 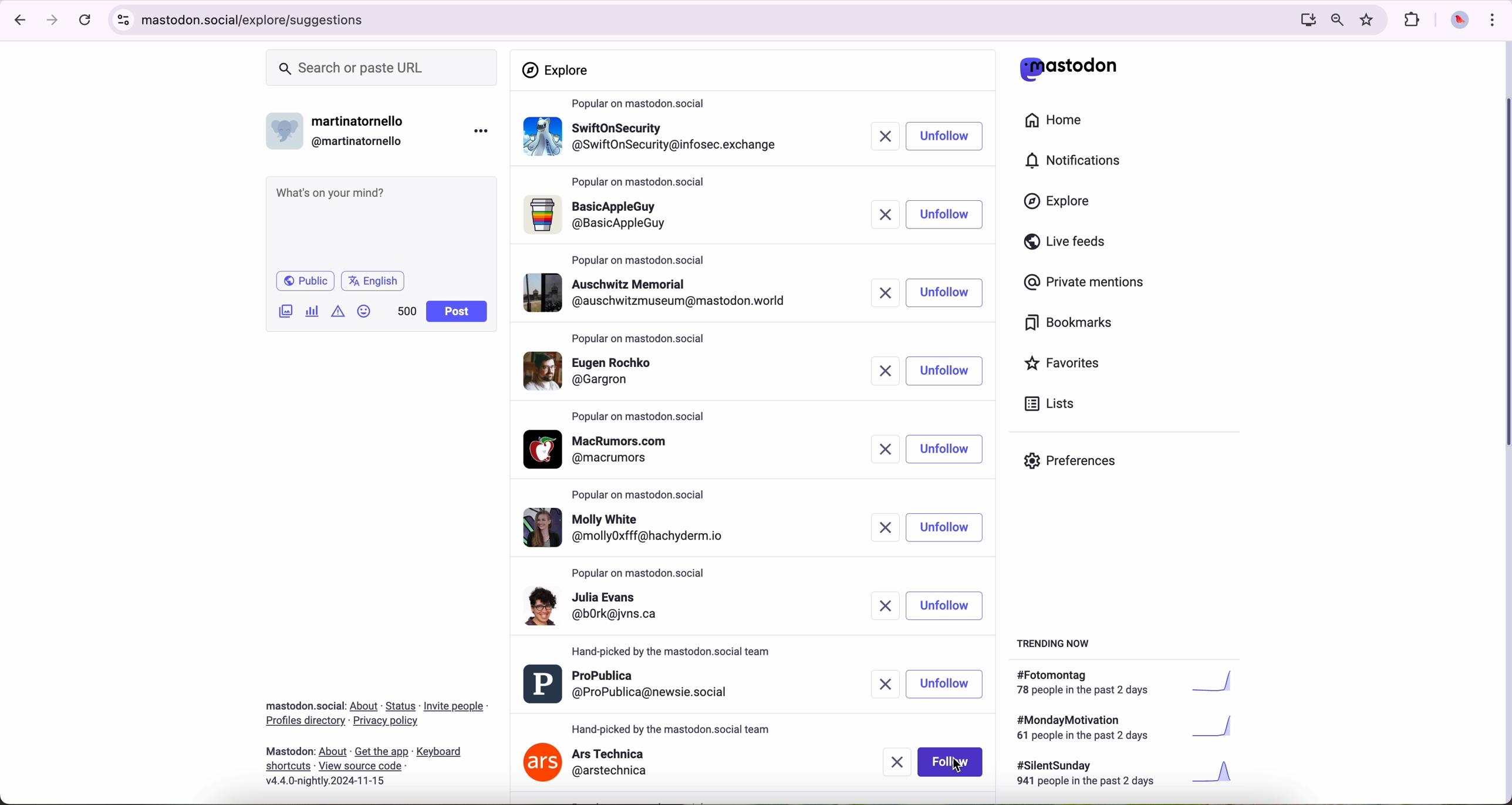 I want to click on unfollow, so click(x=947, y=683).